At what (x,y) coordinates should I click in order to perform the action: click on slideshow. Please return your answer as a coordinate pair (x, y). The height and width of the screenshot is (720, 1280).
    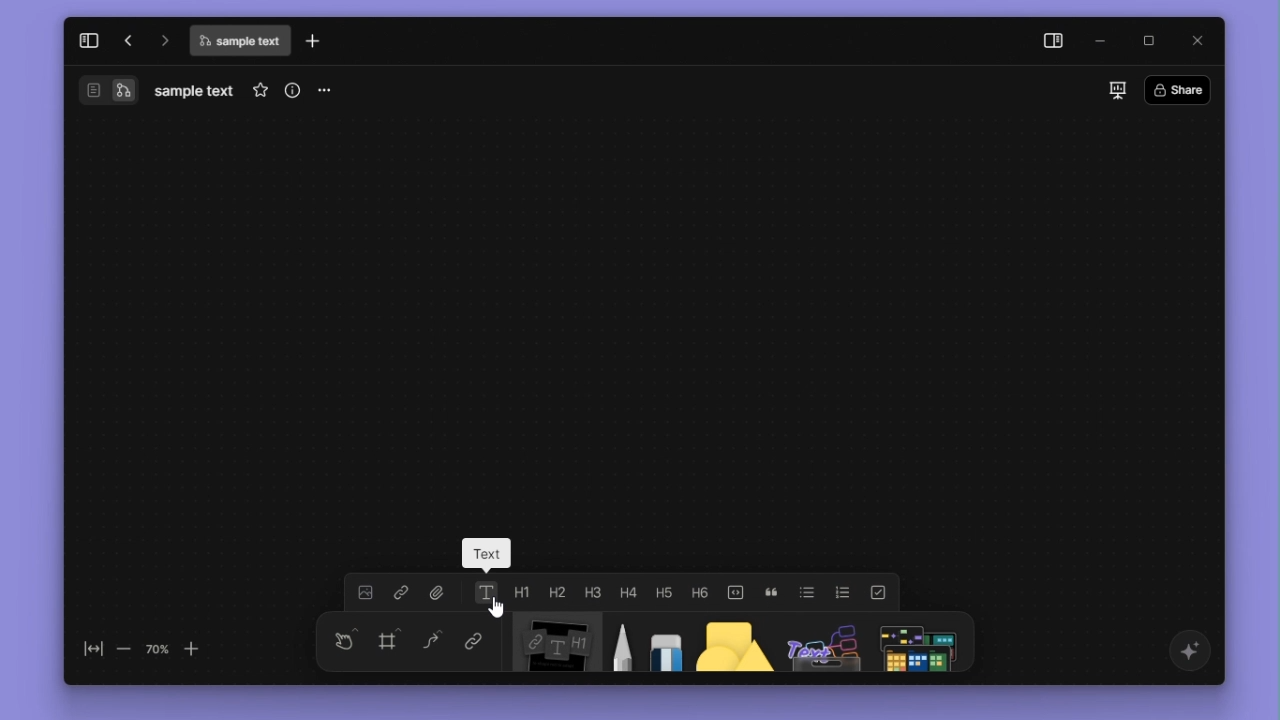
    Looking at the image, I should click on (1113, 89).